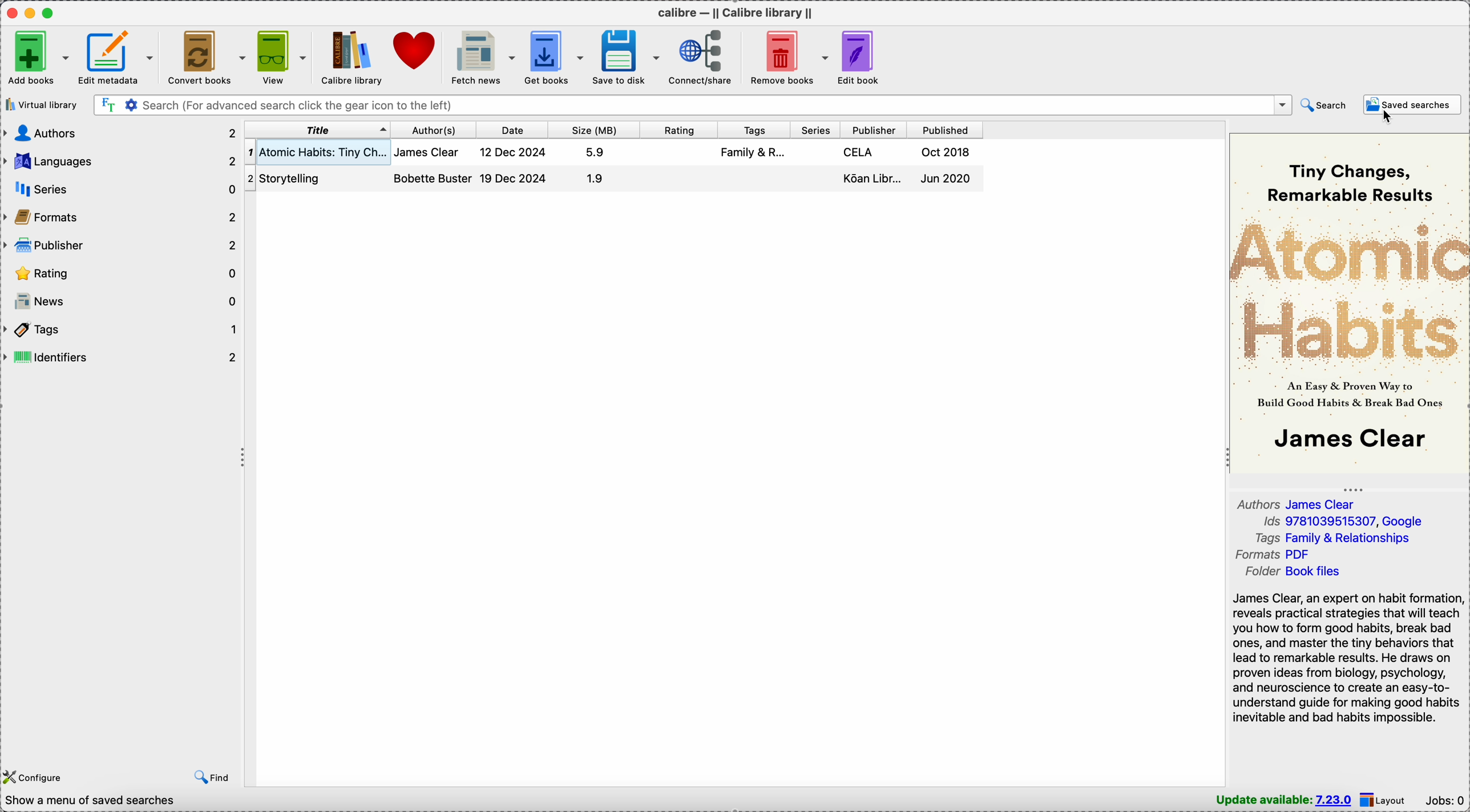  I want to click on Ids: 97810395153985307, google, so click(1342, 522).